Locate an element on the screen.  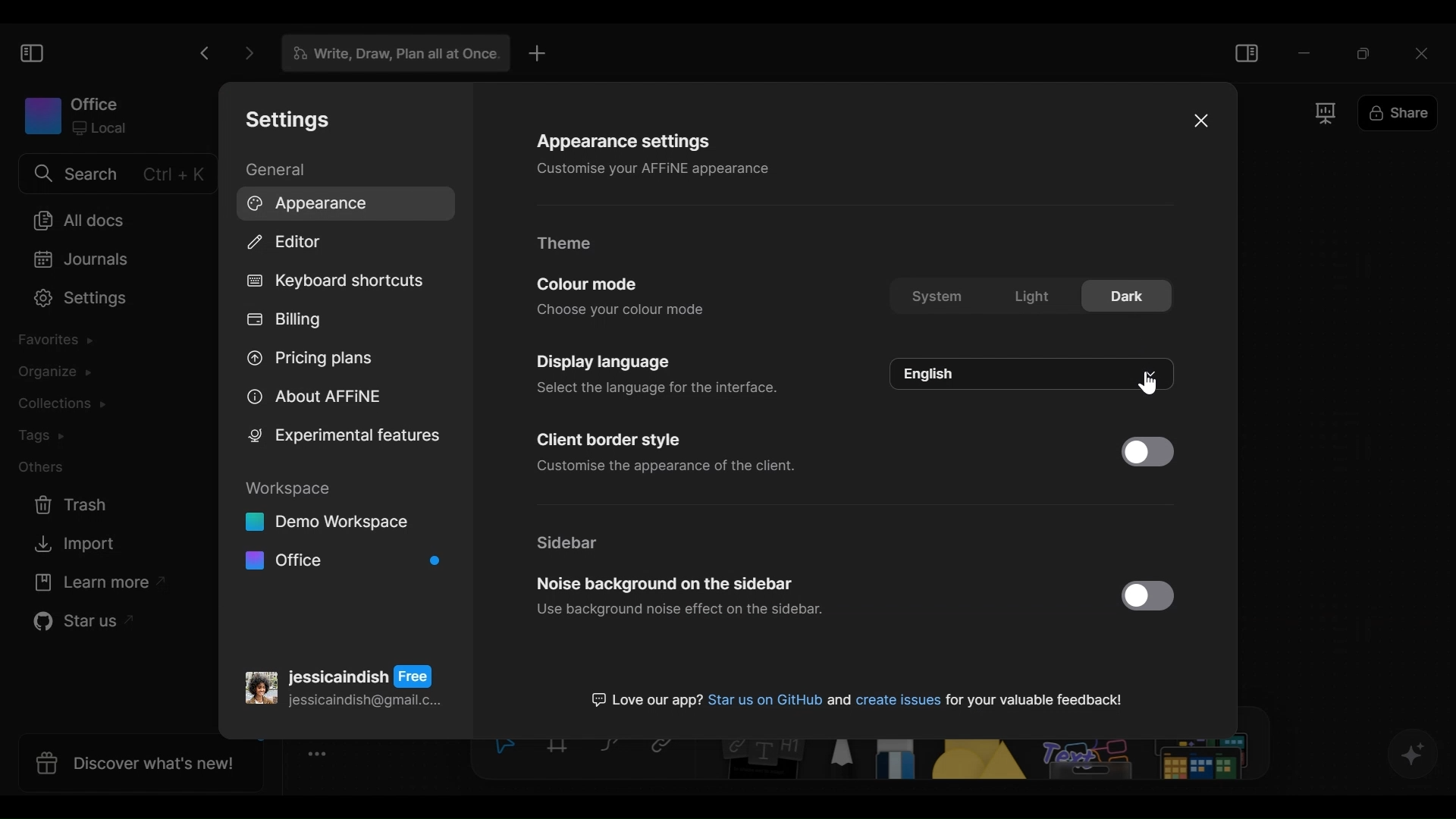
Others is located at coordinates (1145, 762).